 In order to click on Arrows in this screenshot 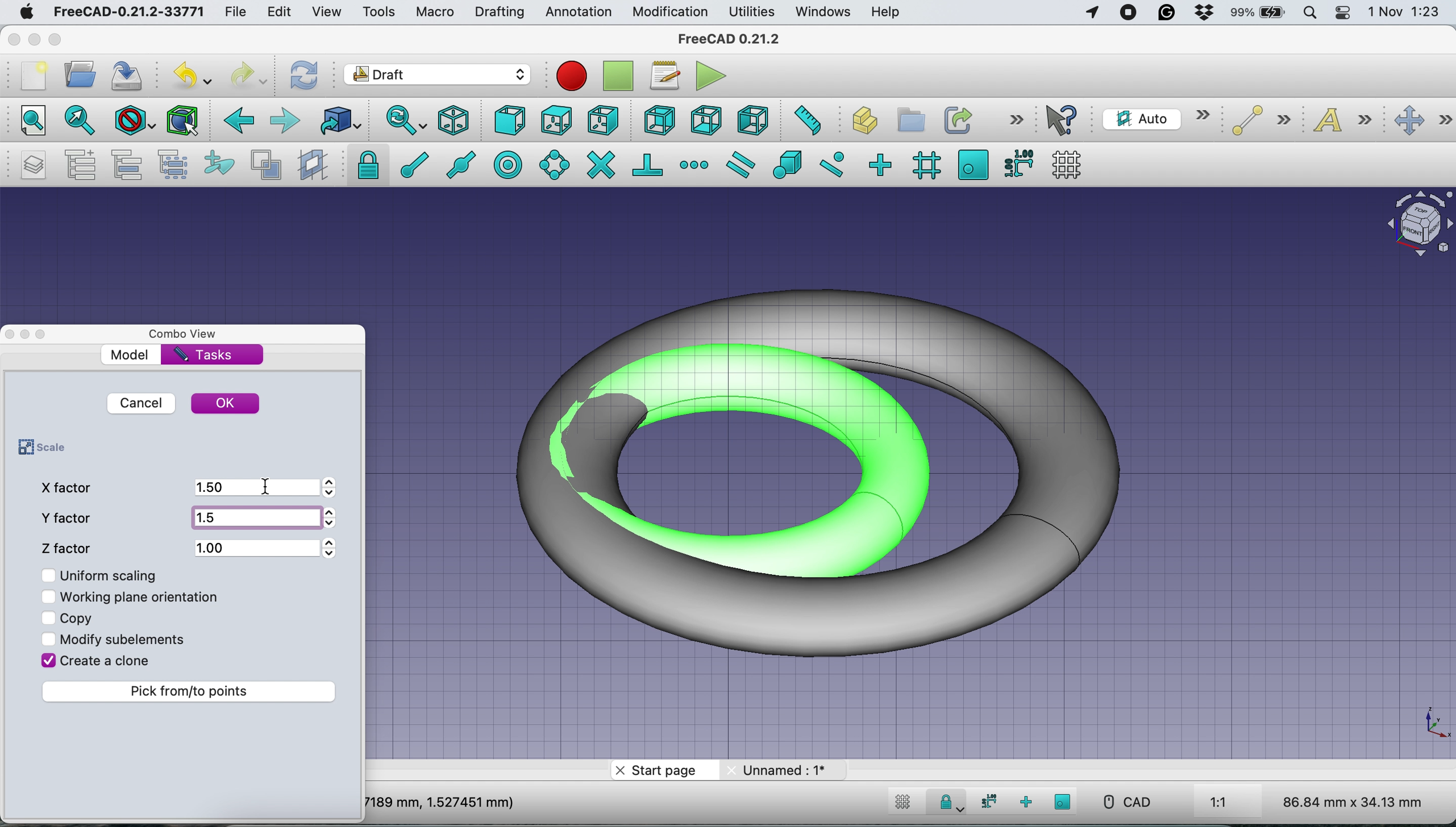, I will do `click(335, 487)`.